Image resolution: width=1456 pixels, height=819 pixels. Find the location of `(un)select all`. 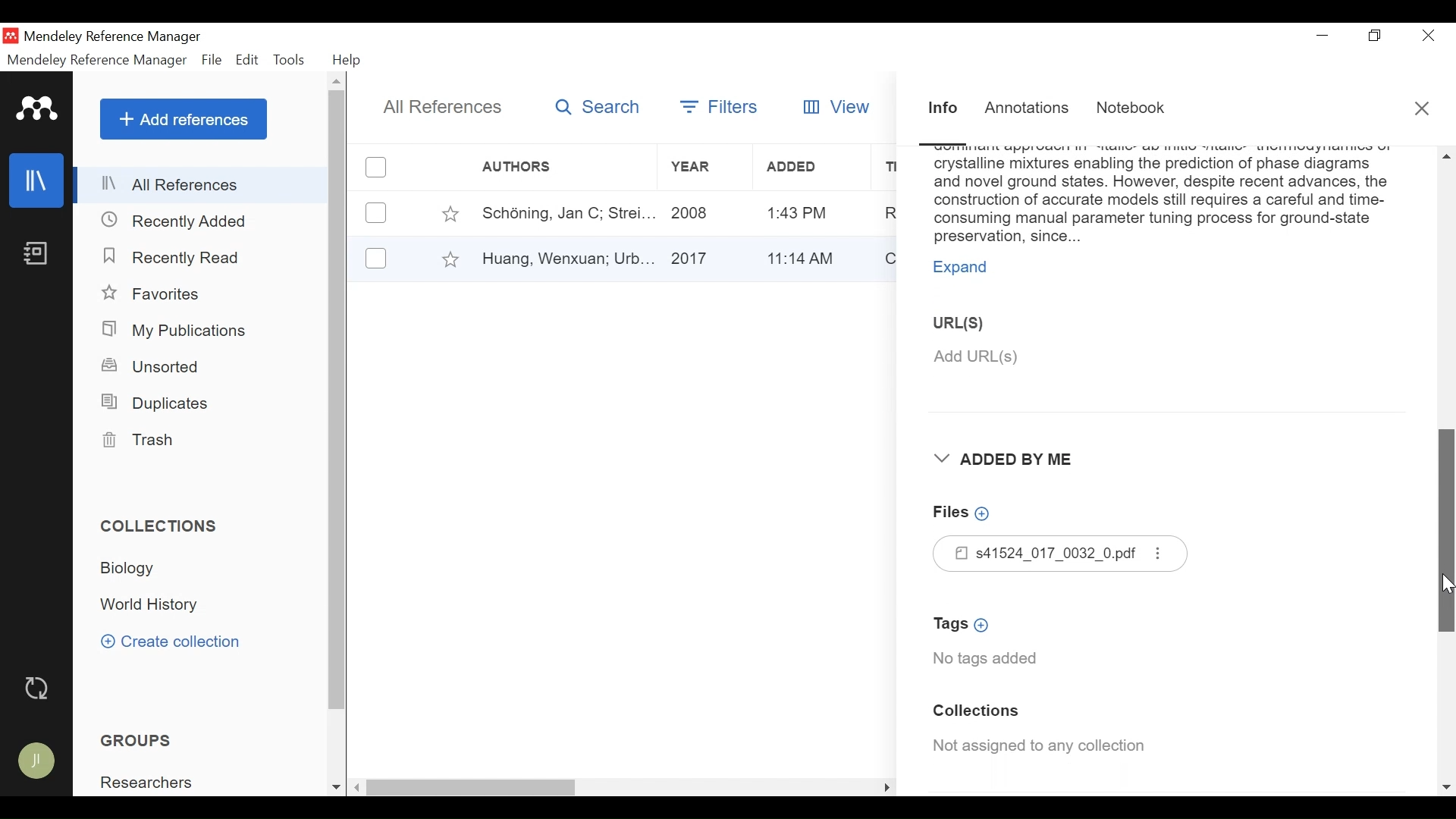

(un)select all is located at coordinates (376, 168).